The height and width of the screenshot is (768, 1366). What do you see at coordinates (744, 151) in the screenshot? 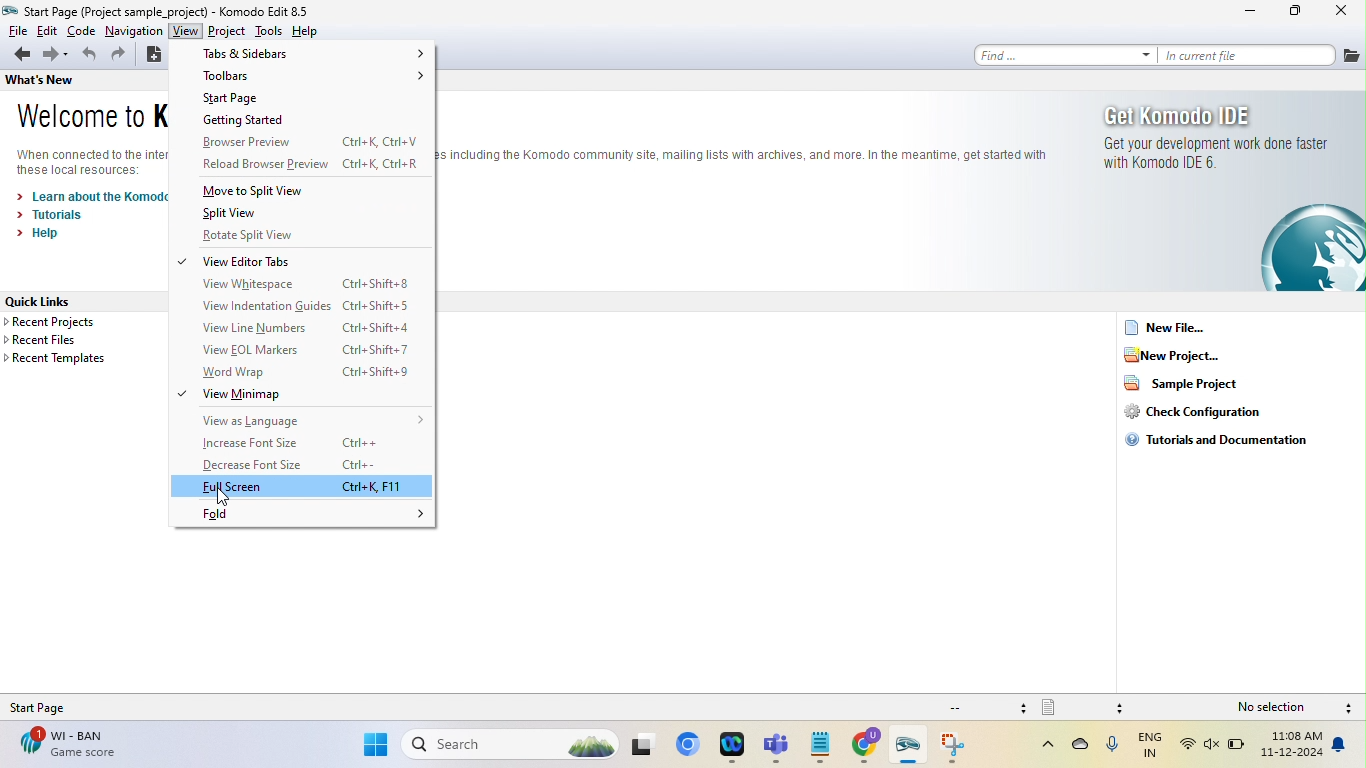
I see `text` at bounding box center [744, 151].